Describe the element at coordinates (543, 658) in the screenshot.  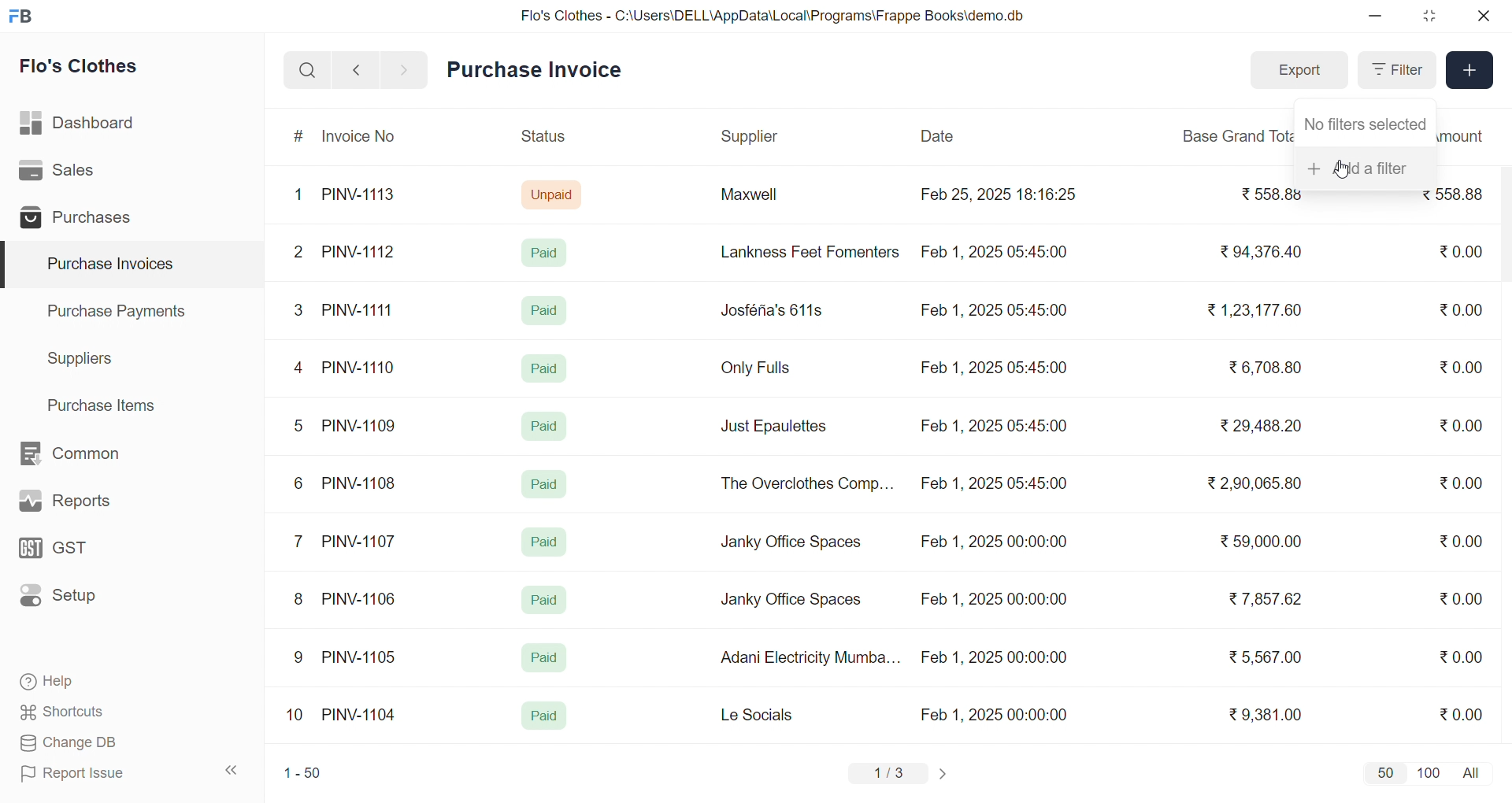
I see `Paid` at that location.